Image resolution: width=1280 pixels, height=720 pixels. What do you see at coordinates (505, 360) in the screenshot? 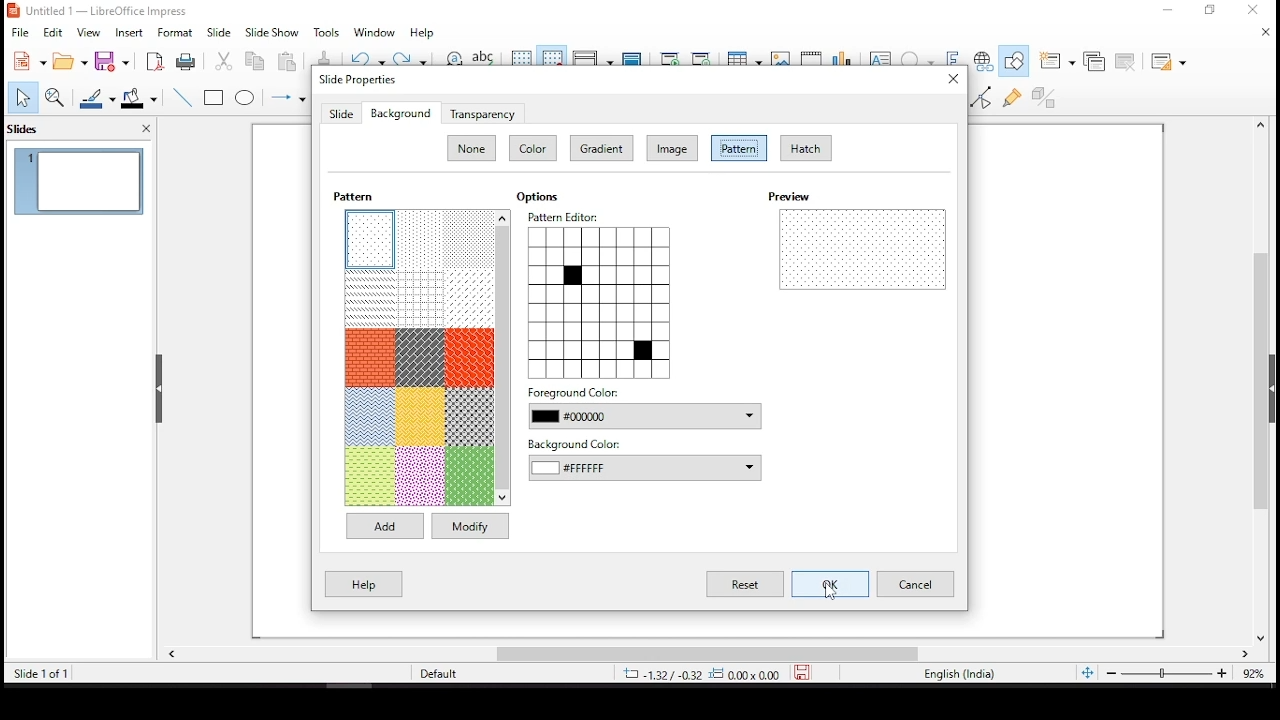
I see `scroll bar` at bounding box center [505, 360].